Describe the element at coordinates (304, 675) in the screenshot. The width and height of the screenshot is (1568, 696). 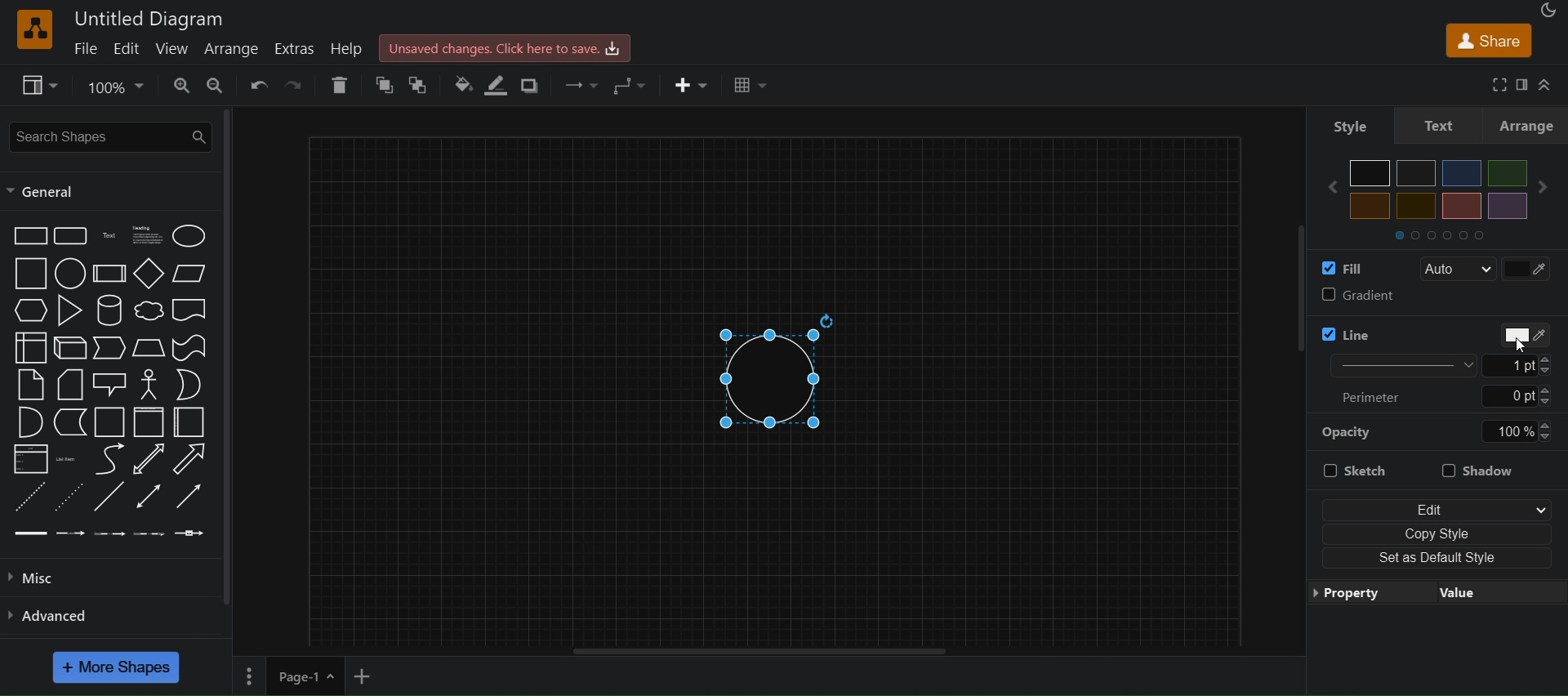
I see `page 1` at that location.